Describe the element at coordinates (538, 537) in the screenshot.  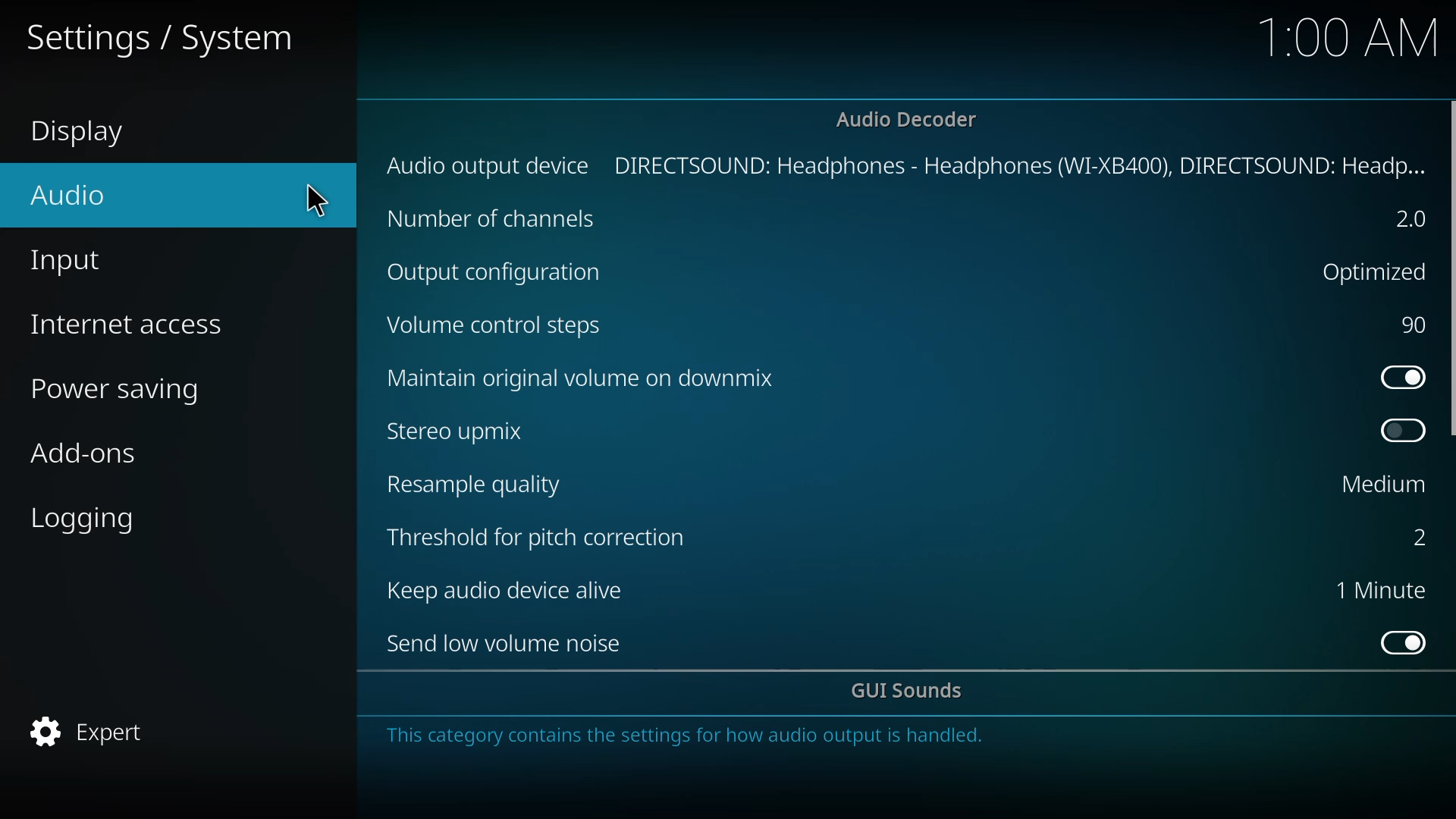
I see `threshold` at that location.